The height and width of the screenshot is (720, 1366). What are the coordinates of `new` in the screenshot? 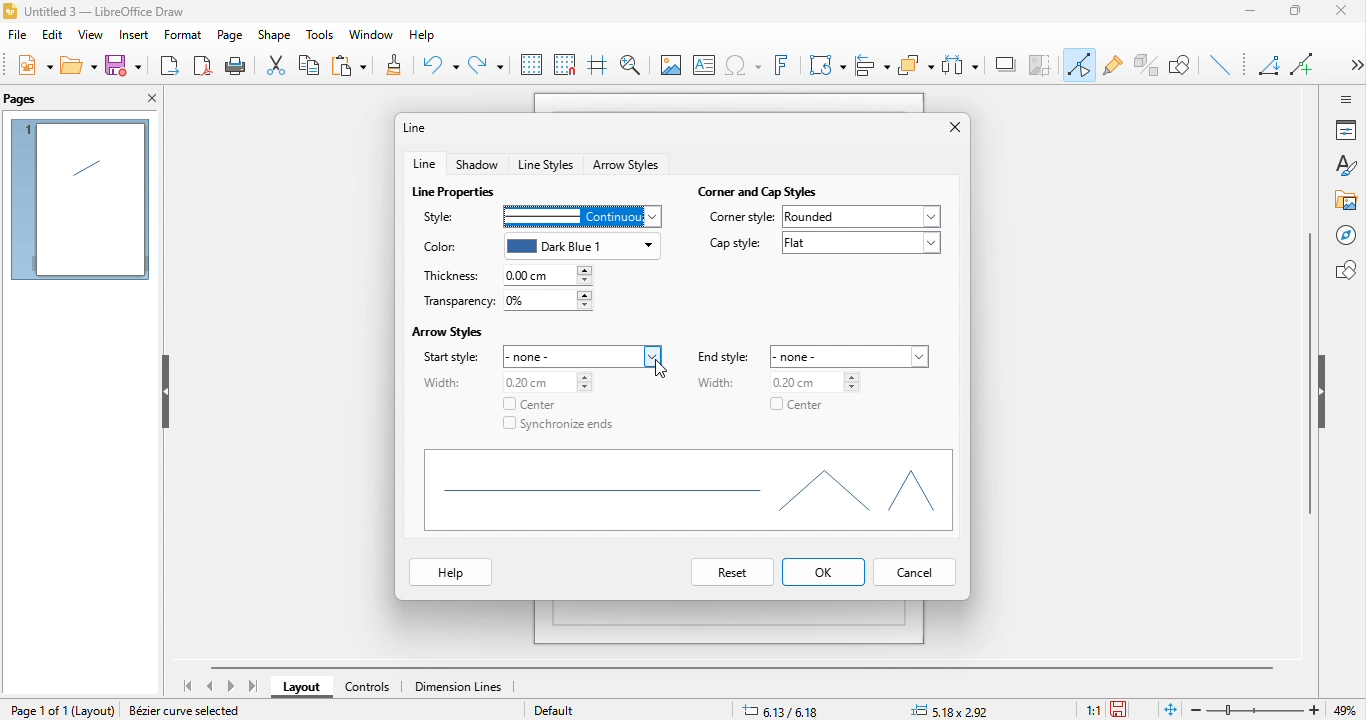 It's located at (32, 68).